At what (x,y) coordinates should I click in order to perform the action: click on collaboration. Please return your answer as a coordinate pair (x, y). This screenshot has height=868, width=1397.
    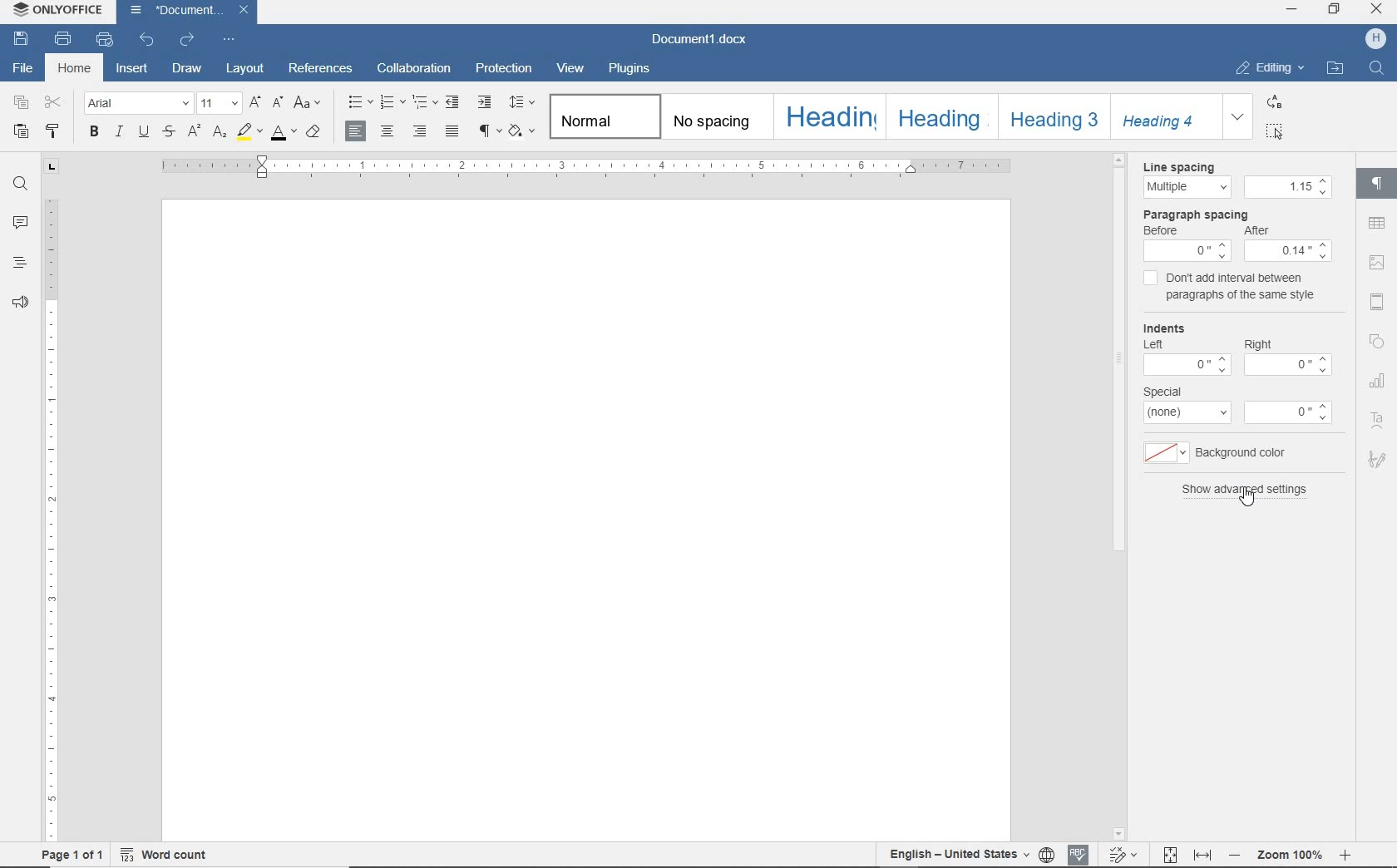
    Looking at the image, I should click on (417, 69).